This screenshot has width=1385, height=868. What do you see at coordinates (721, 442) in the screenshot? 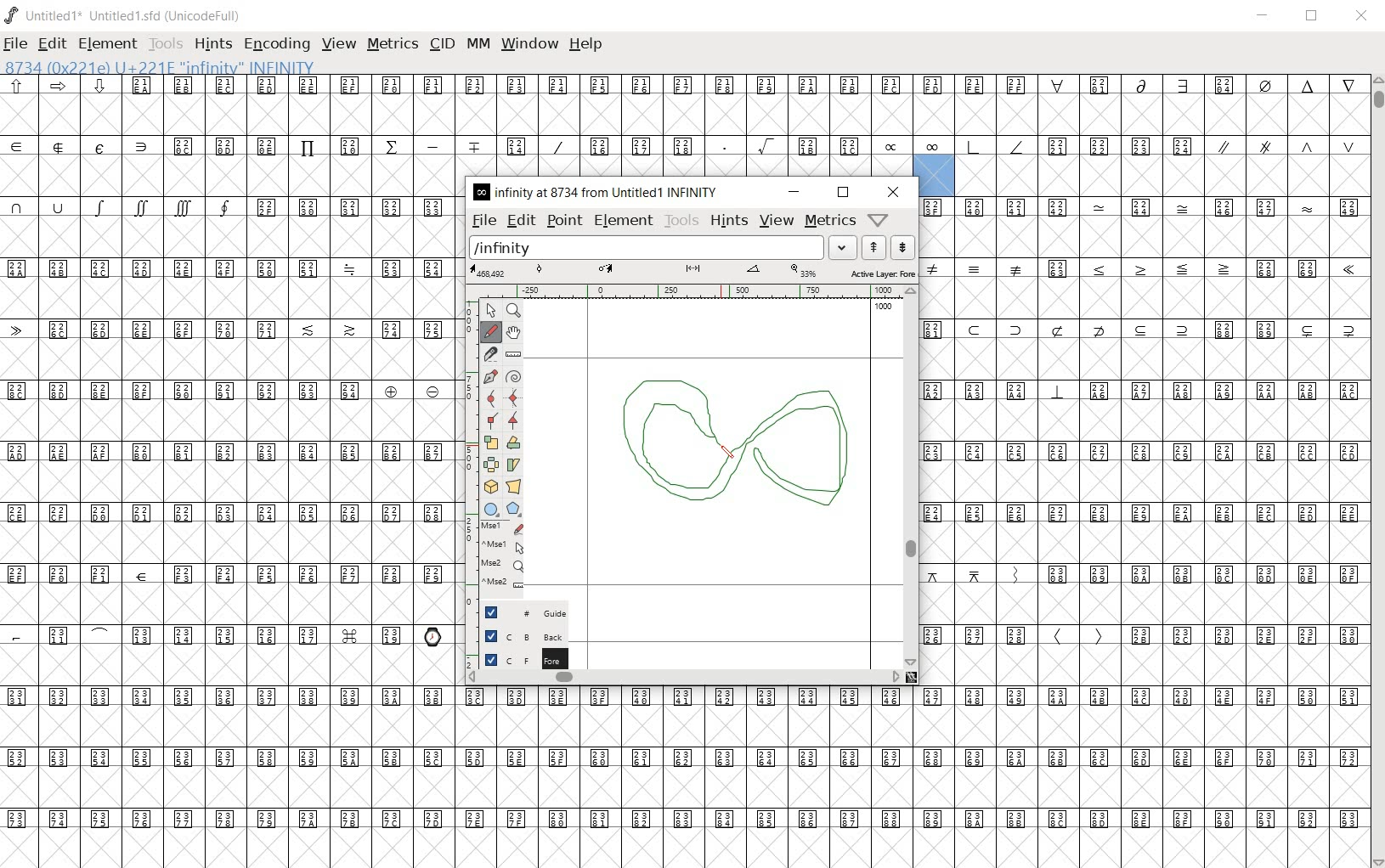
I see `pen tool/CURSOR LOCATION` at bounding box center [721, 442].